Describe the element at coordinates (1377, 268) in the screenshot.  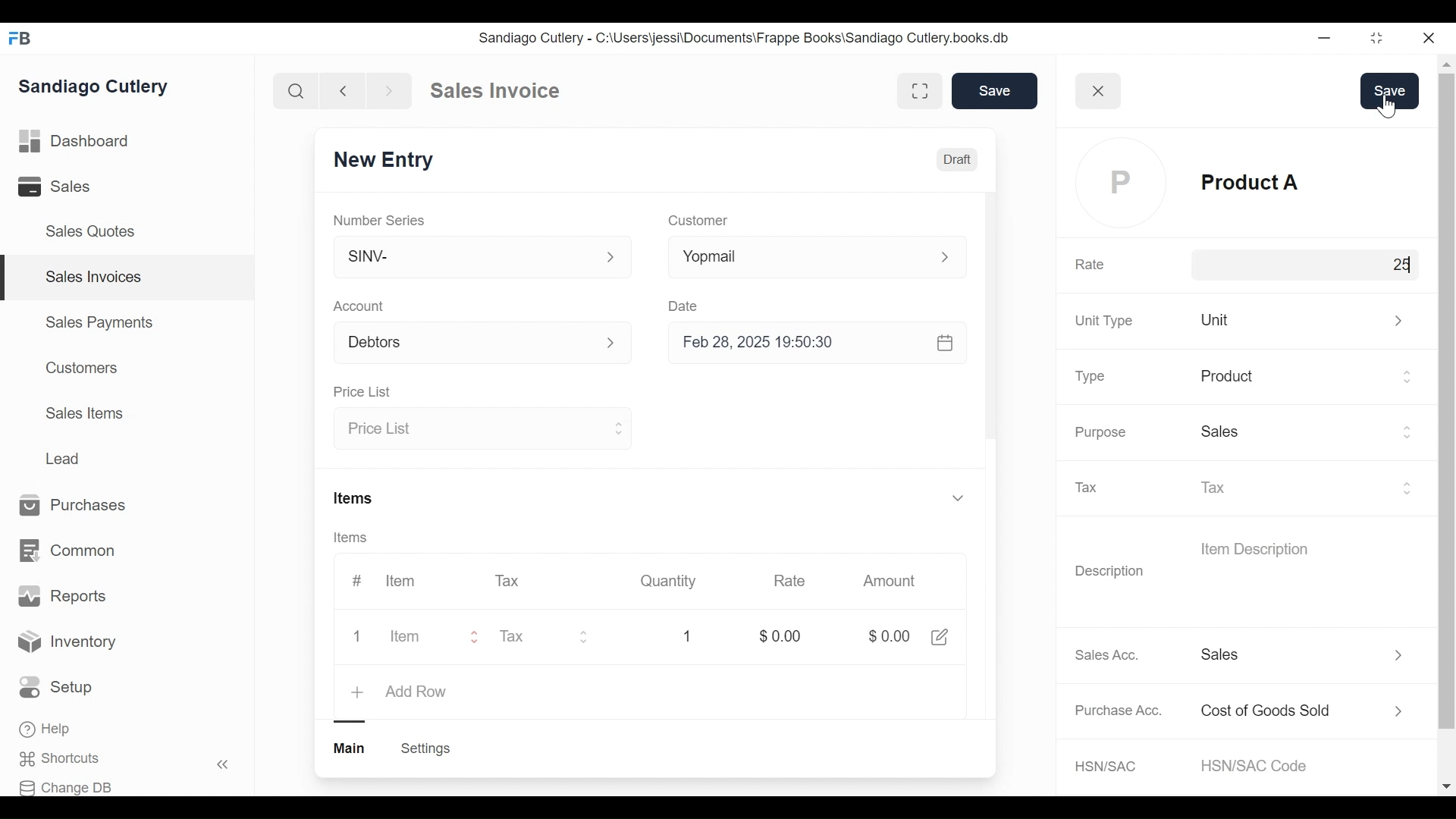
I see `cursor` at that location.